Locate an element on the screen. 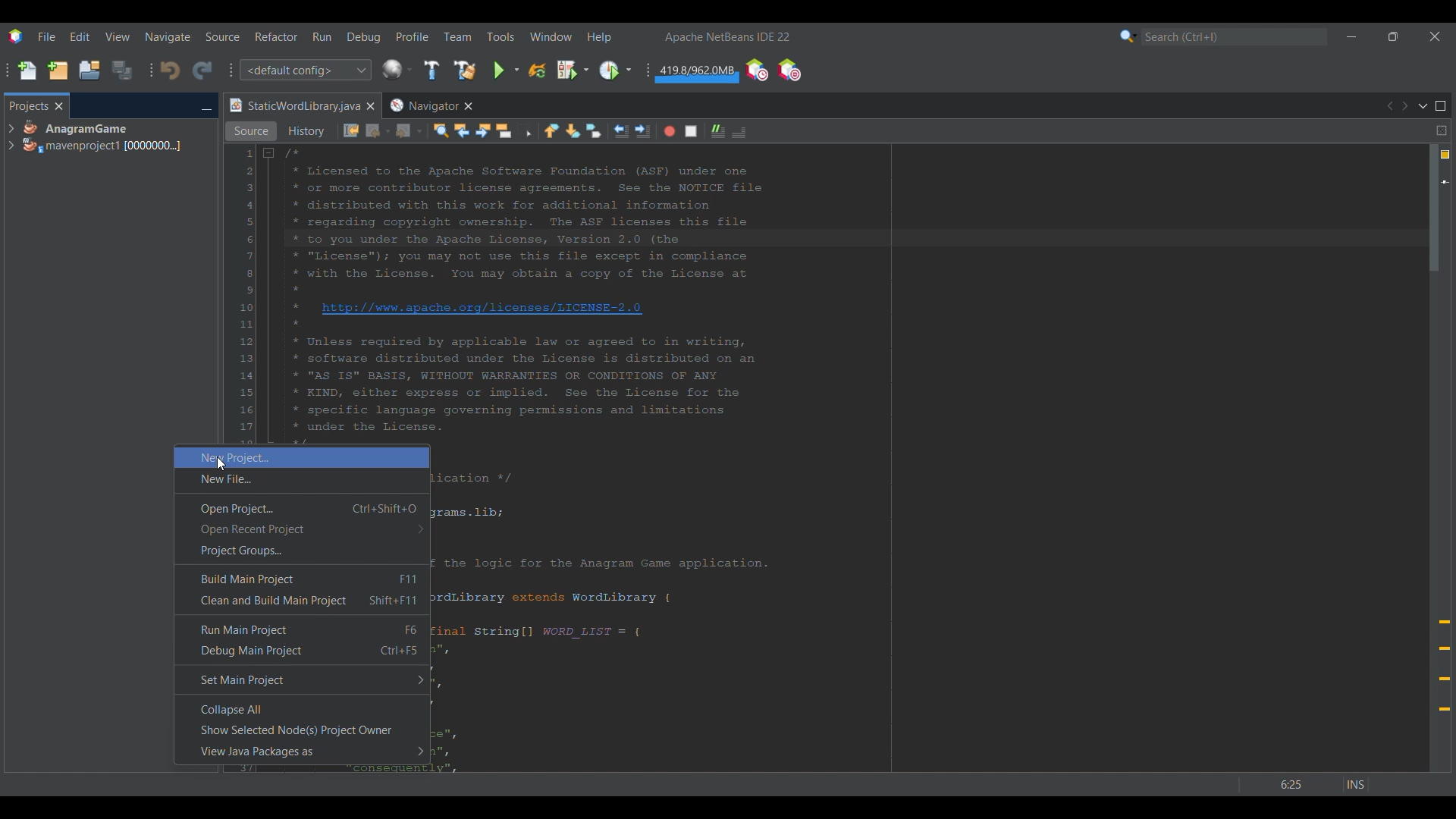 This screenshot has height=819, width=1456. Previous bookmark is located at coordinates (551, 130).